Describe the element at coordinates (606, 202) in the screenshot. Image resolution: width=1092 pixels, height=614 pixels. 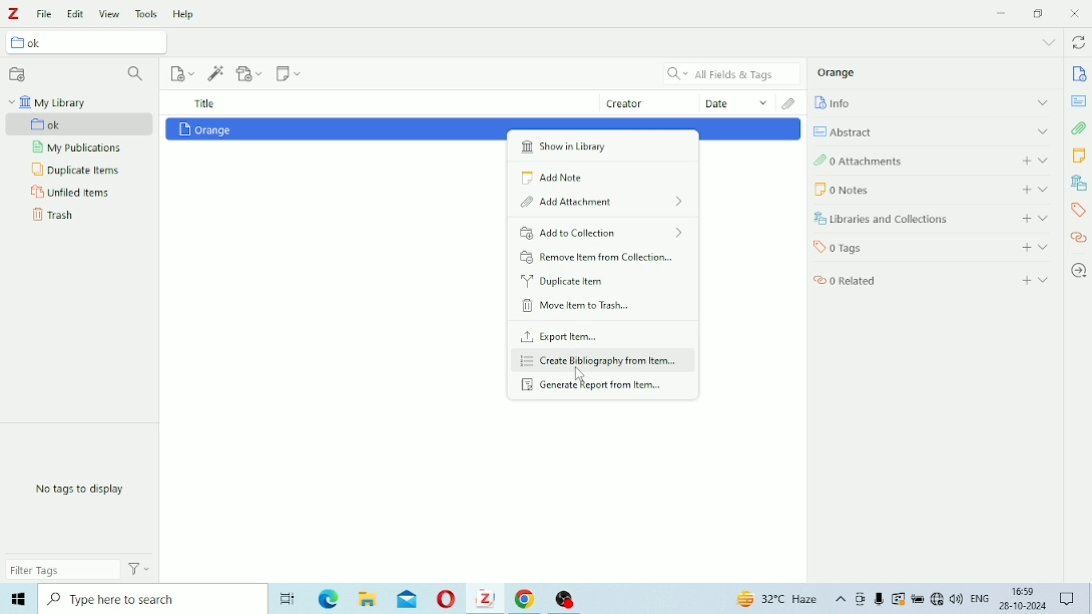
I see `Add Attachment` at that location.